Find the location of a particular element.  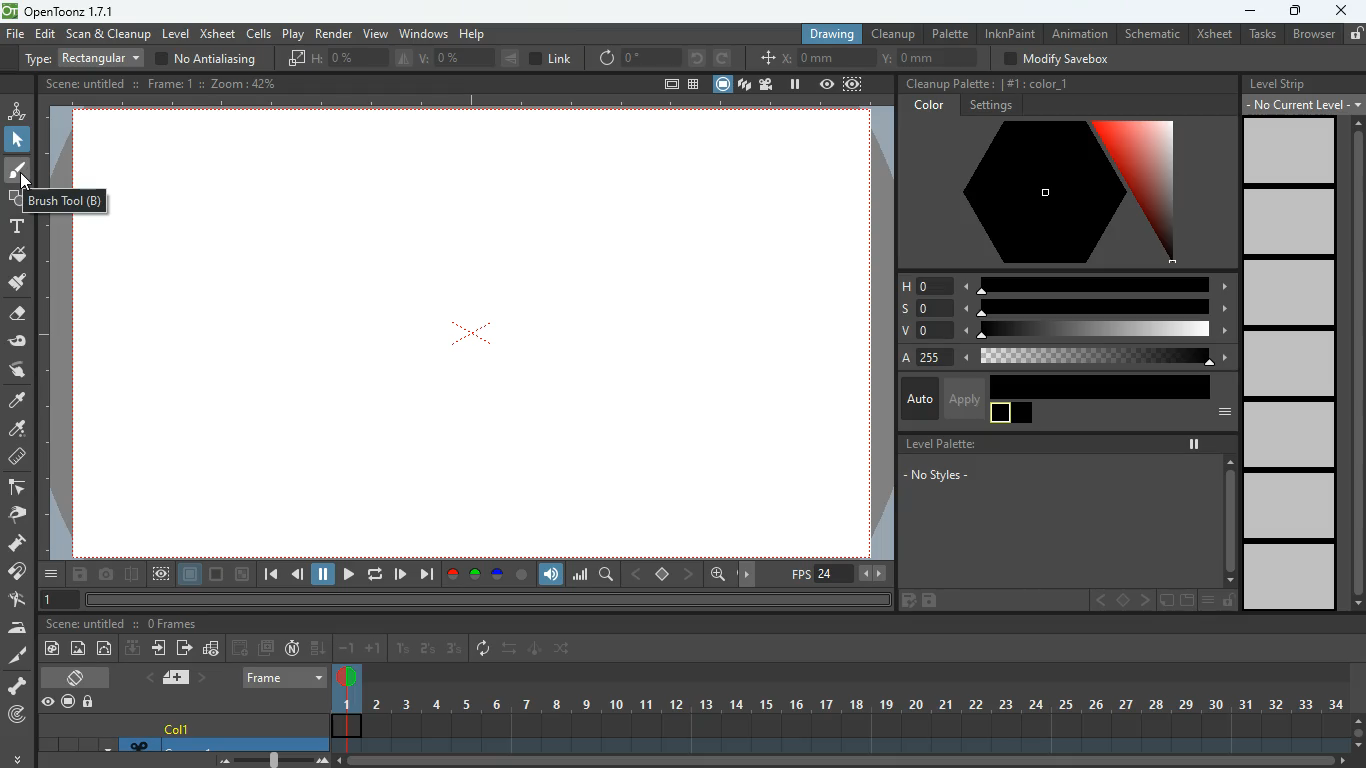

graph is located at coordinates (580, 574).